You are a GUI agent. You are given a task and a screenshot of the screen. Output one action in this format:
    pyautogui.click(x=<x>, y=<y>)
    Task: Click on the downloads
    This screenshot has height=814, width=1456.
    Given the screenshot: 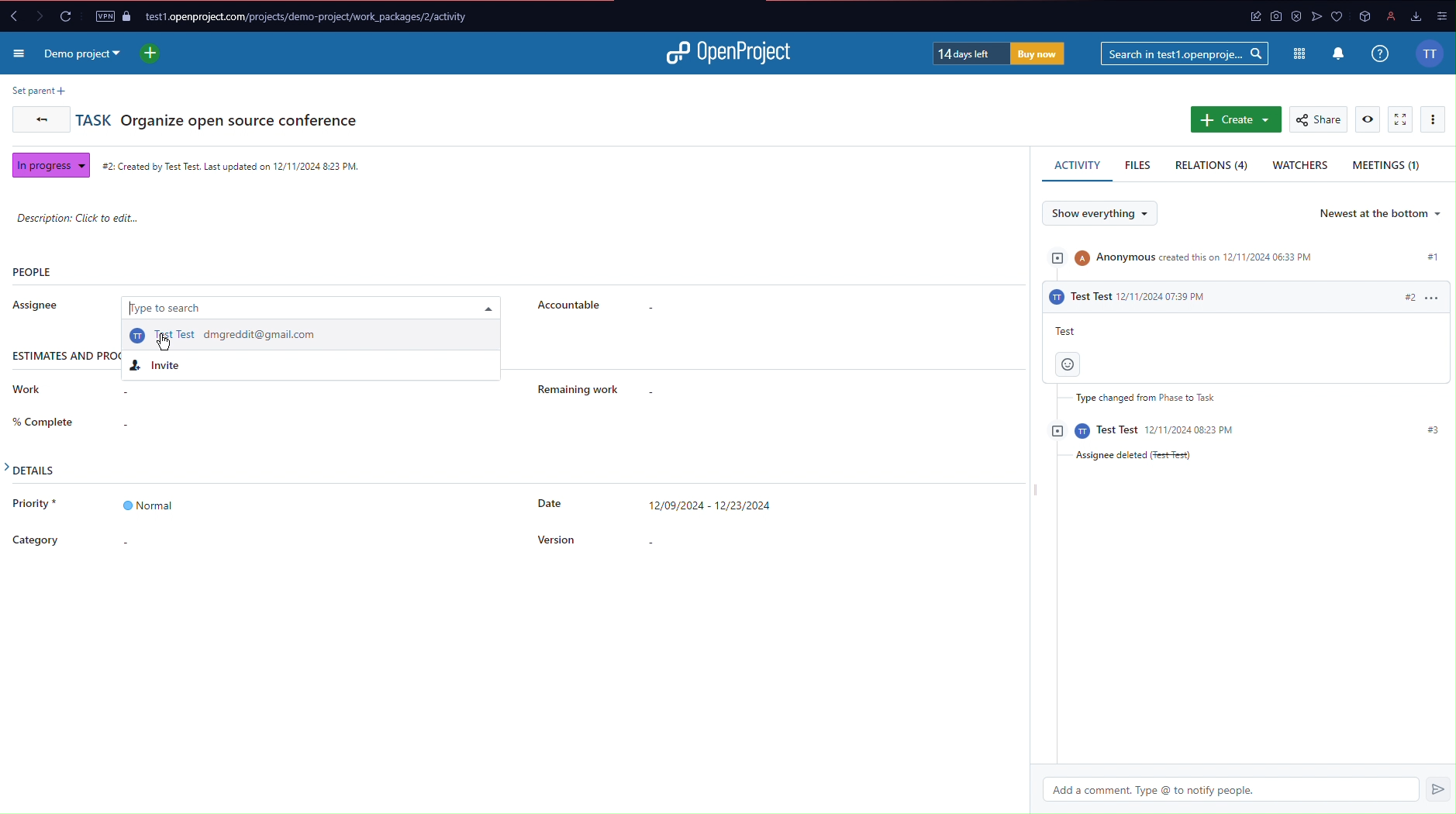 What is the action you would take?
    pyautogui.click(x=1413, y=16)
    